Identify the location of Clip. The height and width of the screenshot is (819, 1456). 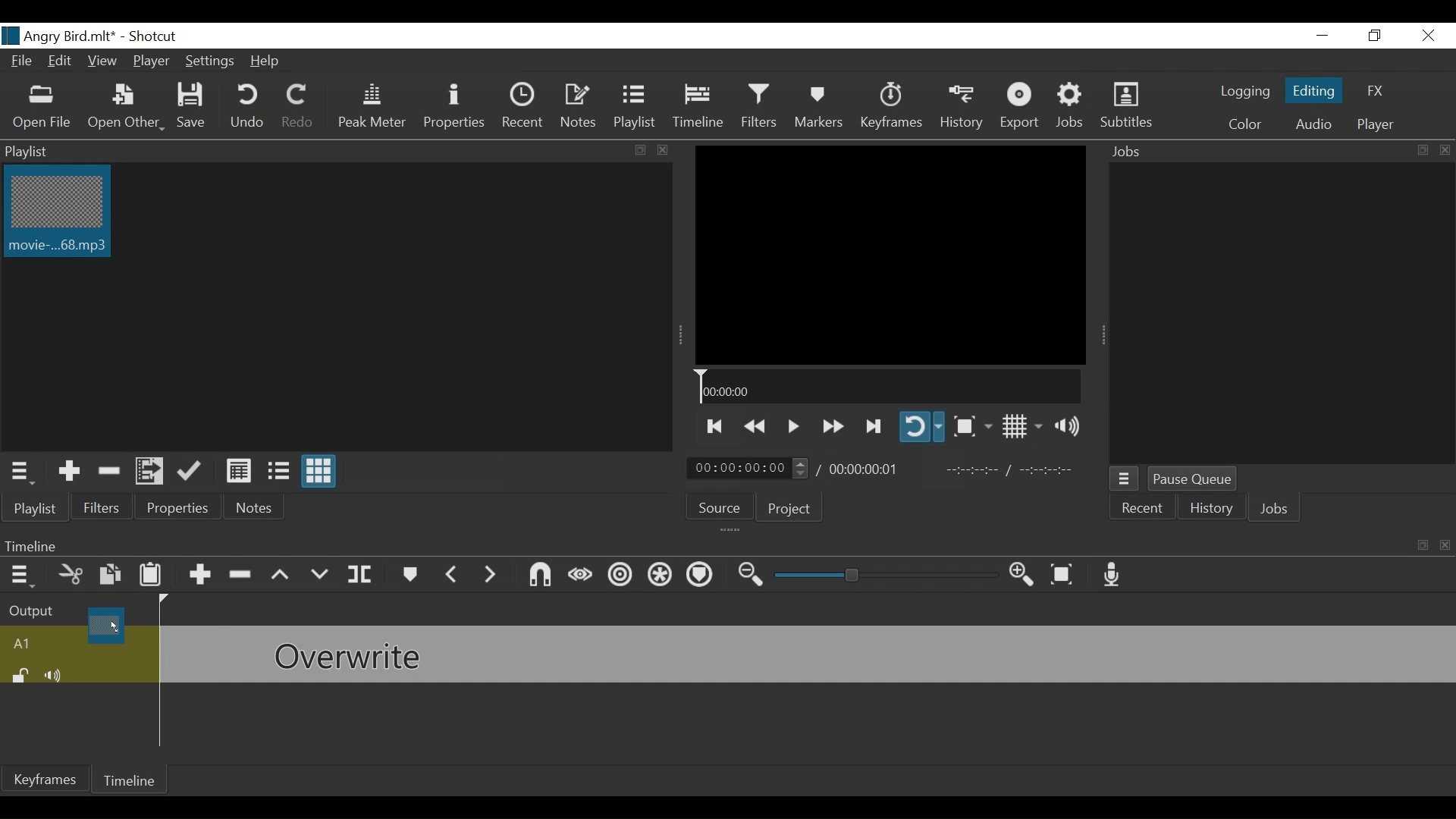
(58, 216).